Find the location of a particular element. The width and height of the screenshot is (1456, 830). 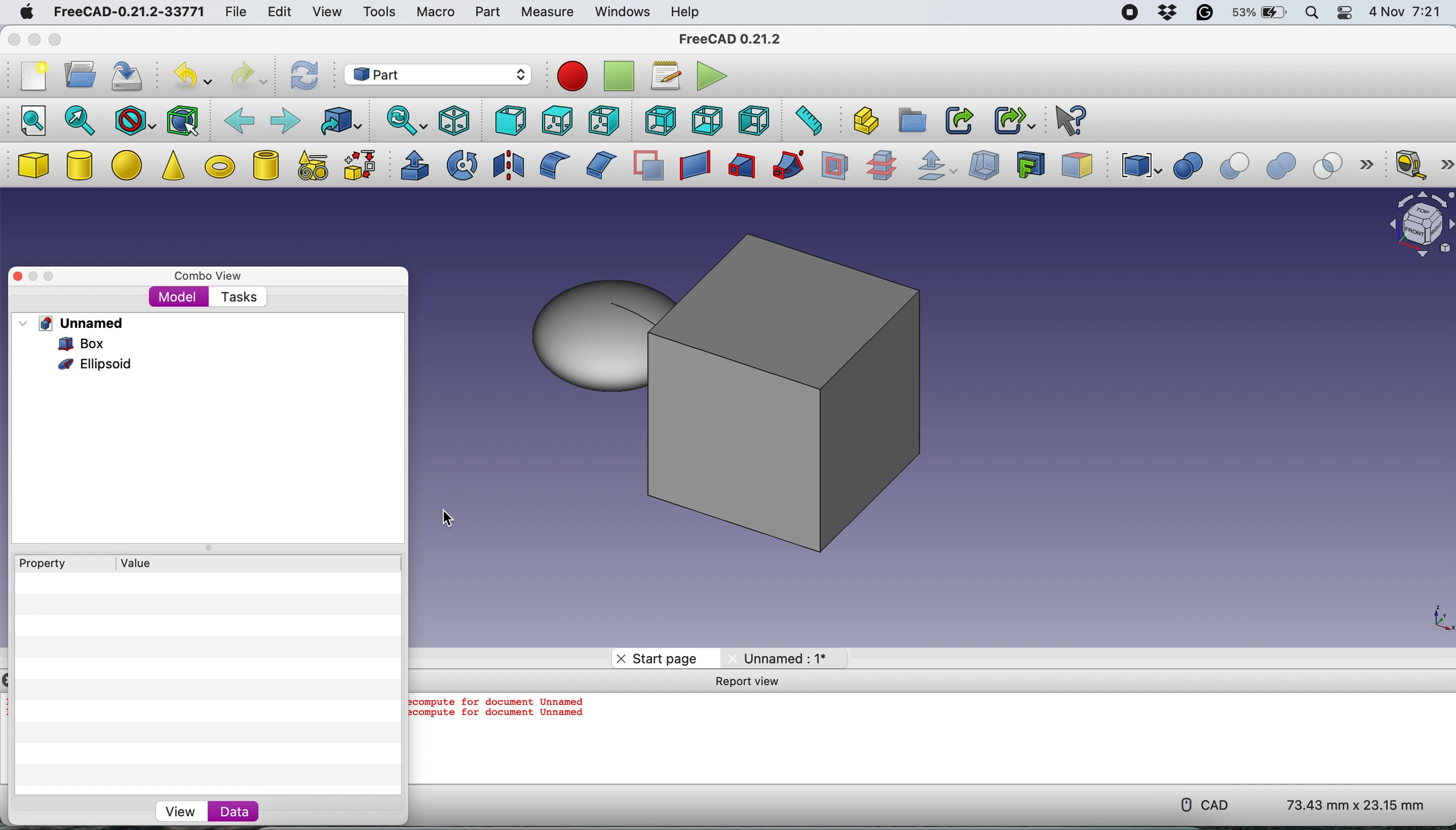

box is located at coordinates (797, 388).